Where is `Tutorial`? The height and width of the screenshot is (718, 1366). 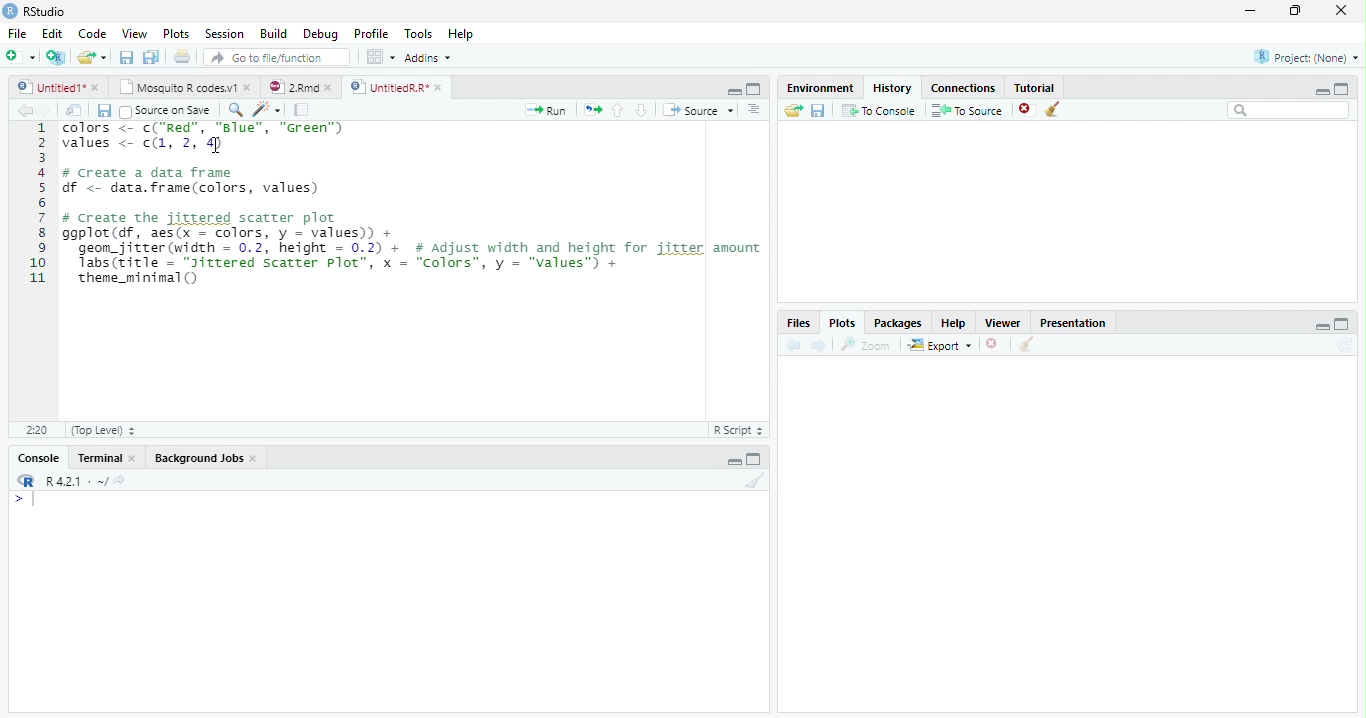
Tutorial is located at coordinates (1035, 87).